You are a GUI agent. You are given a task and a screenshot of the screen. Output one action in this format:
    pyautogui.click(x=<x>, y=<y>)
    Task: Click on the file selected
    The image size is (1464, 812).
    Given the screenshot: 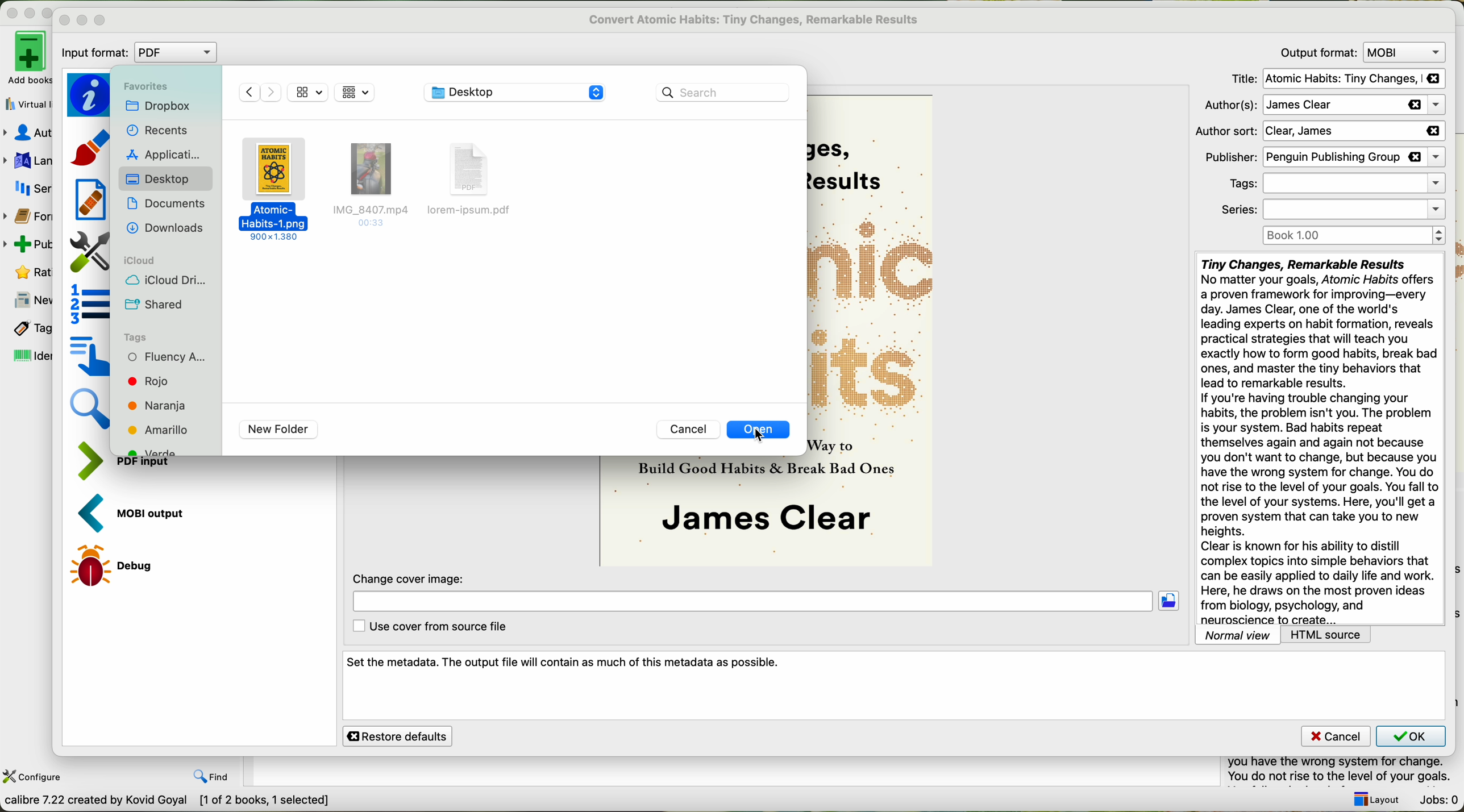 What is the action you would take?
    pyautogui.click(x=276, y=189)
    